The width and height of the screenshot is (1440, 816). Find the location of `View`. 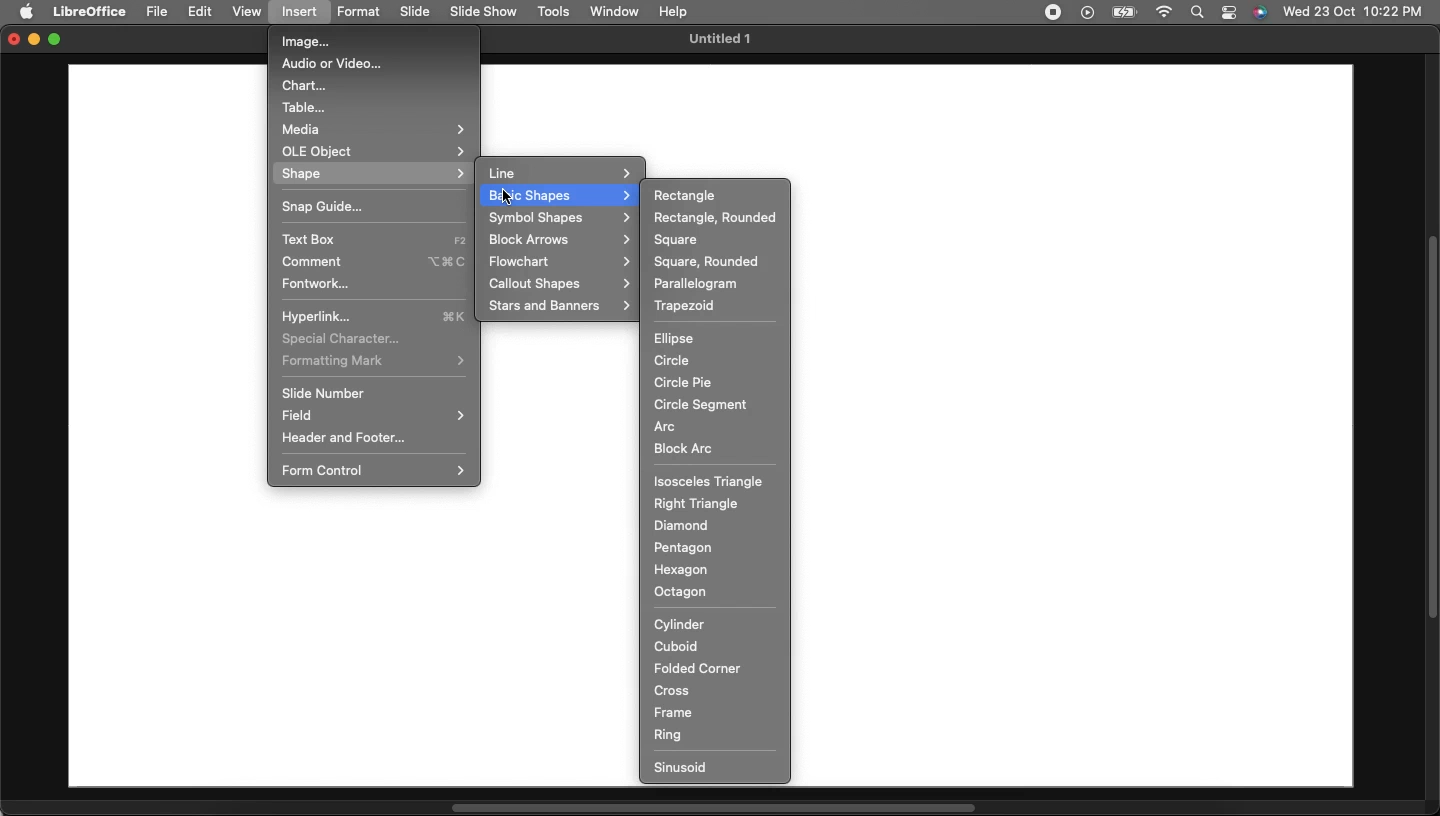

View is located at coordinates (248, 12).